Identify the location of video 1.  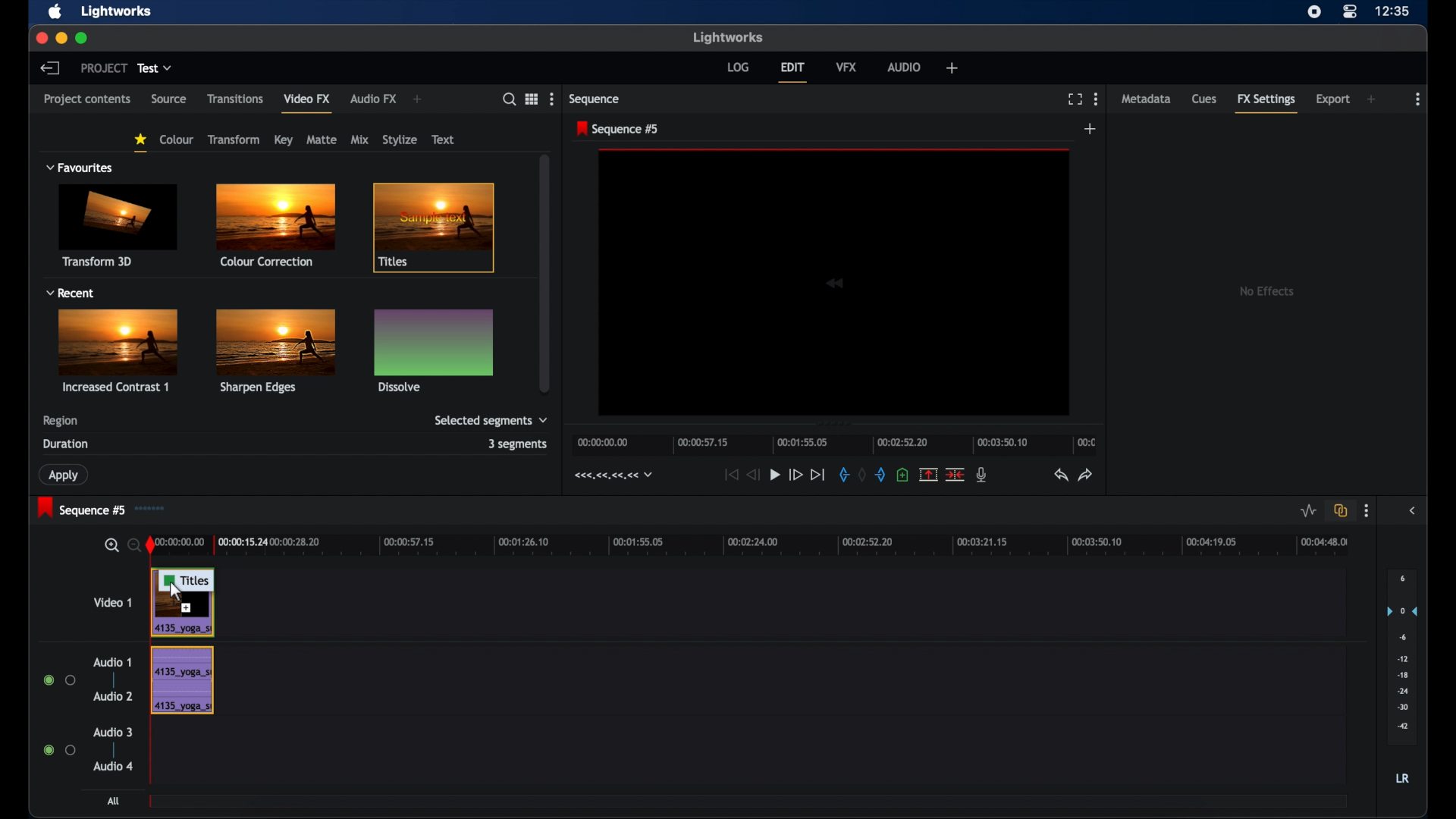
(114, 602).